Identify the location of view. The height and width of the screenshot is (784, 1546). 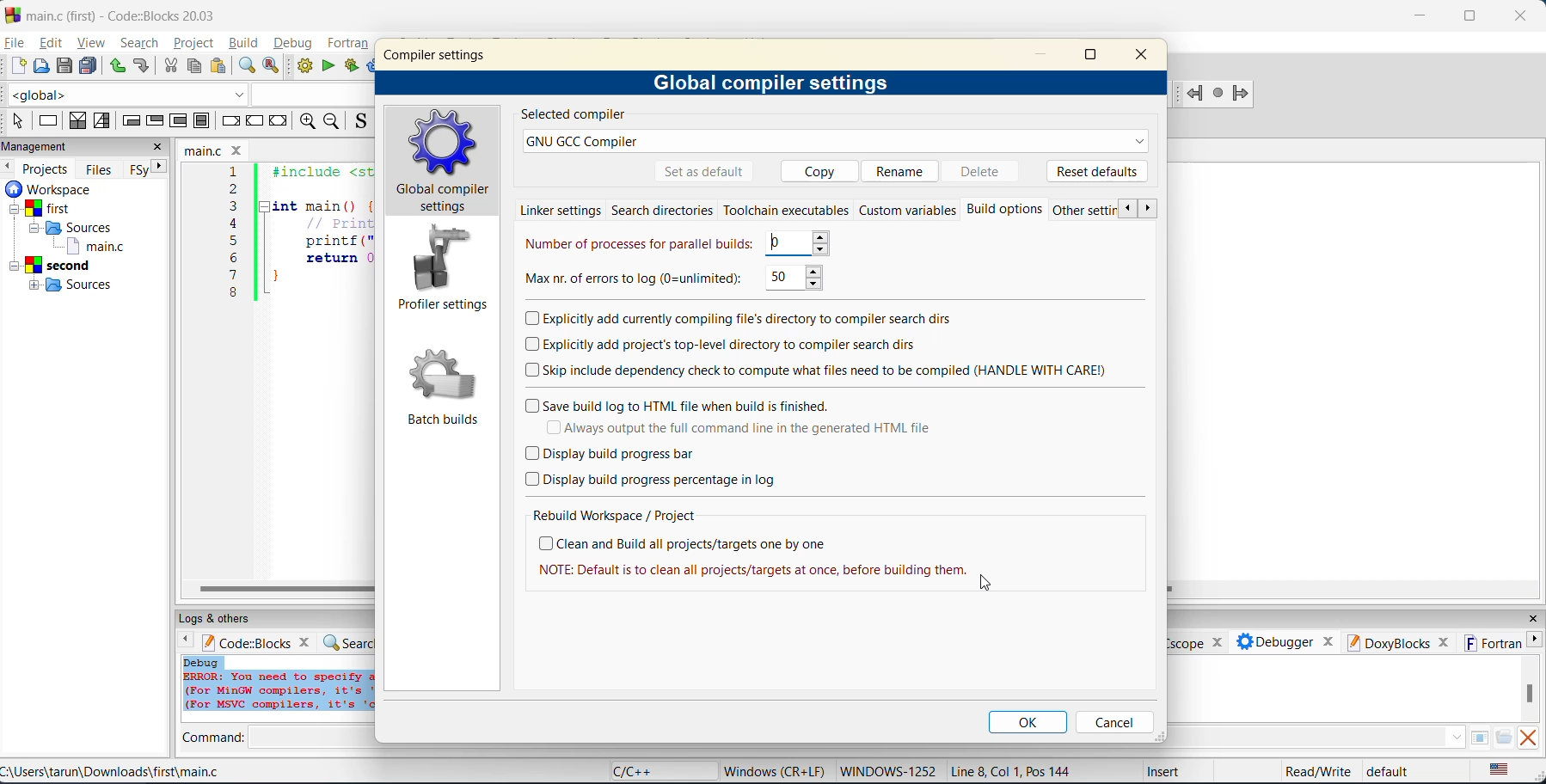
(92, 42).